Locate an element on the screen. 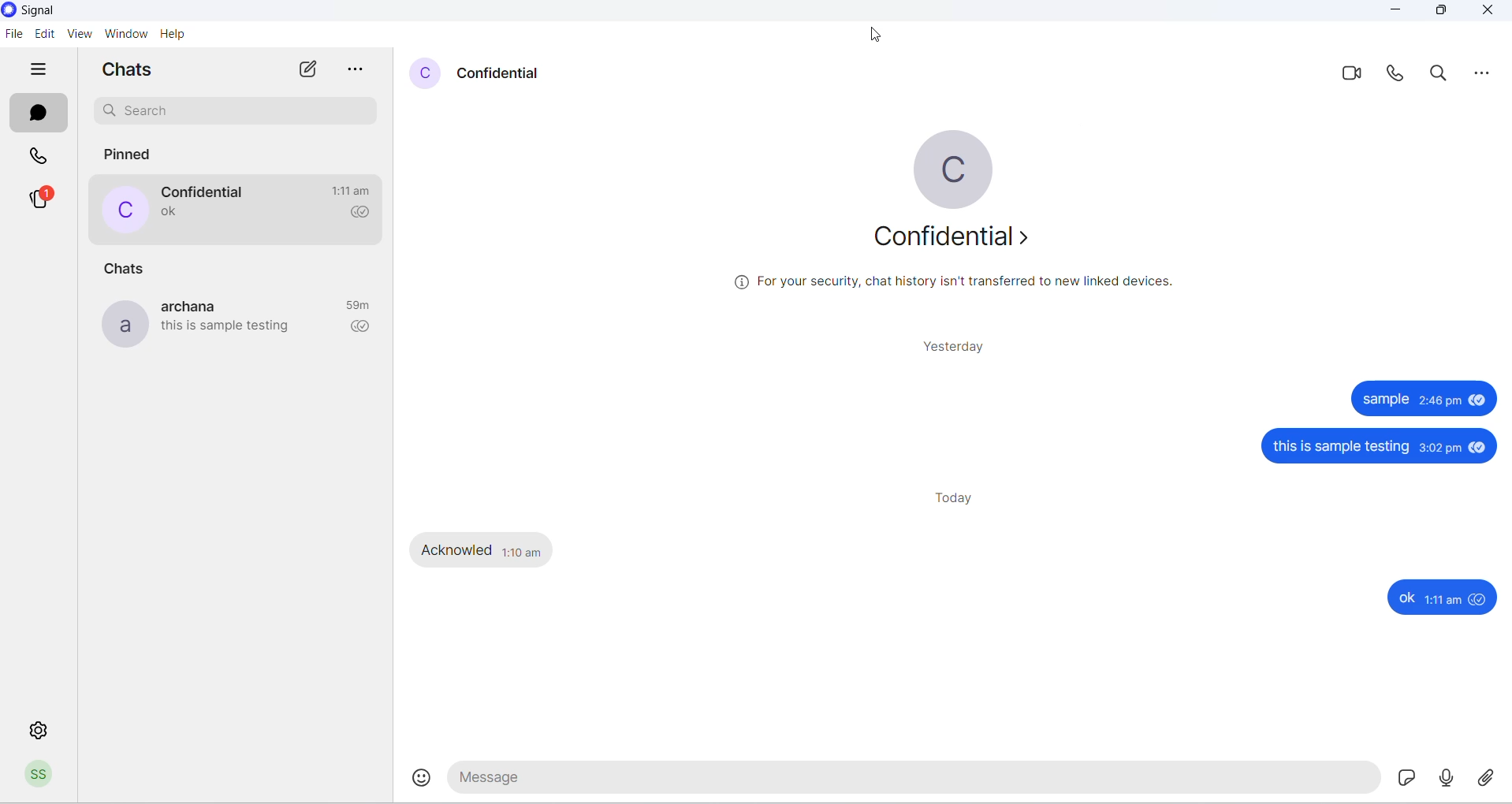 The image size is (1512, 804). sticker is located at coordinates (1404, 780).